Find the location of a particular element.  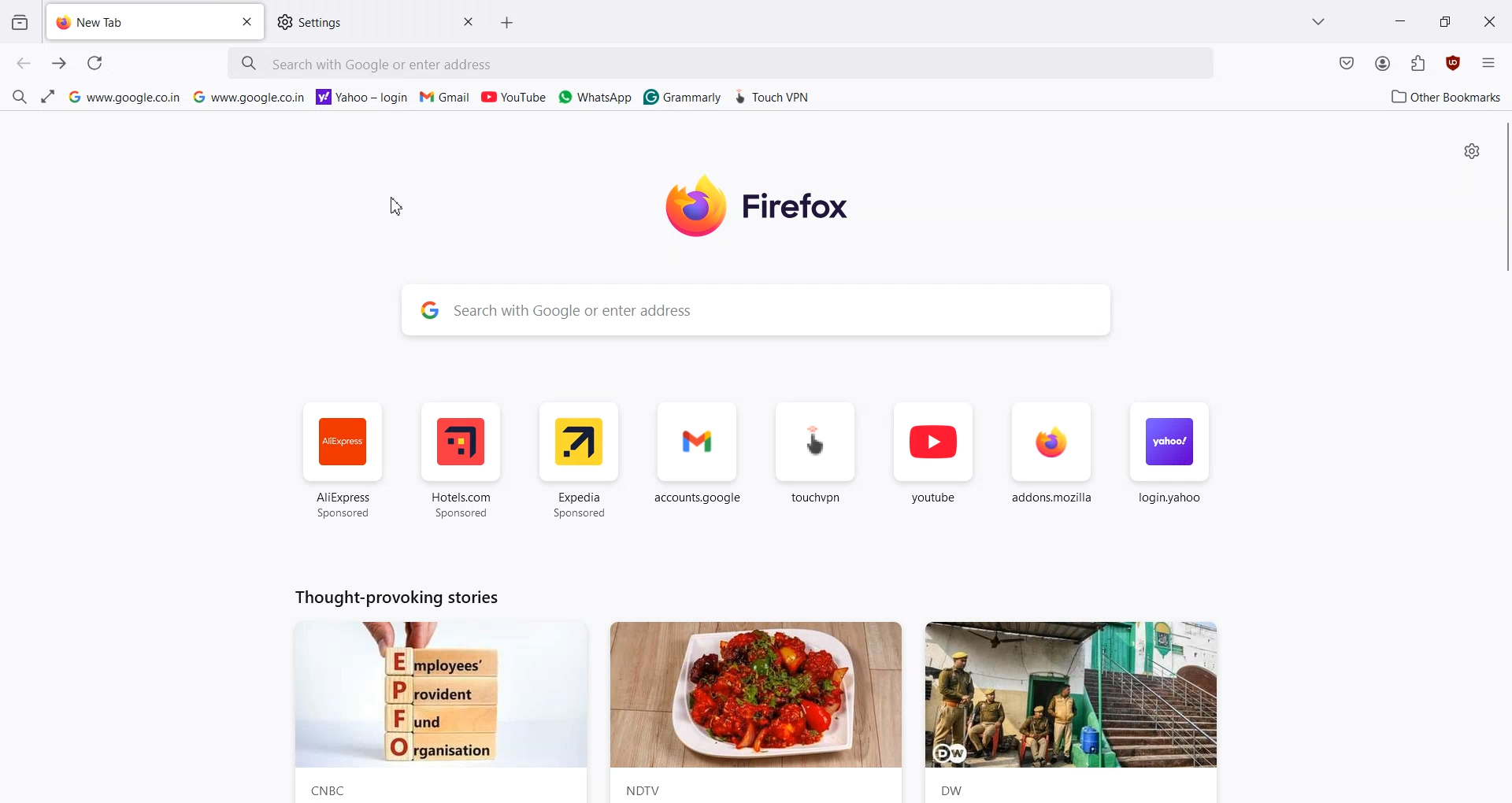

Find is located at coordinates (19, 94).